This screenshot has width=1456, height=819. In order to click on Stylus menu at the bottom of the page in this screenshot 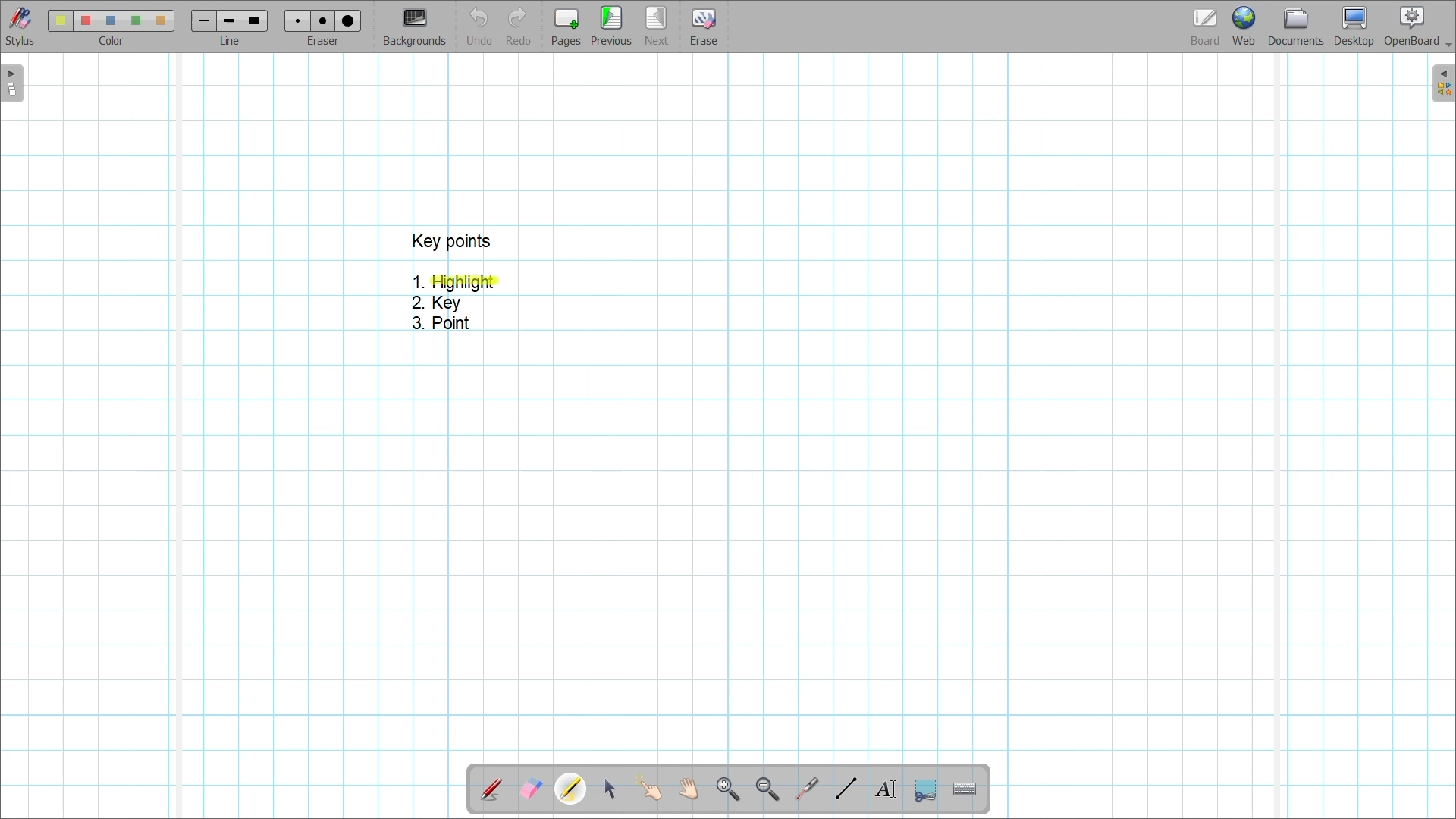, I will do `click(21, 27)`.